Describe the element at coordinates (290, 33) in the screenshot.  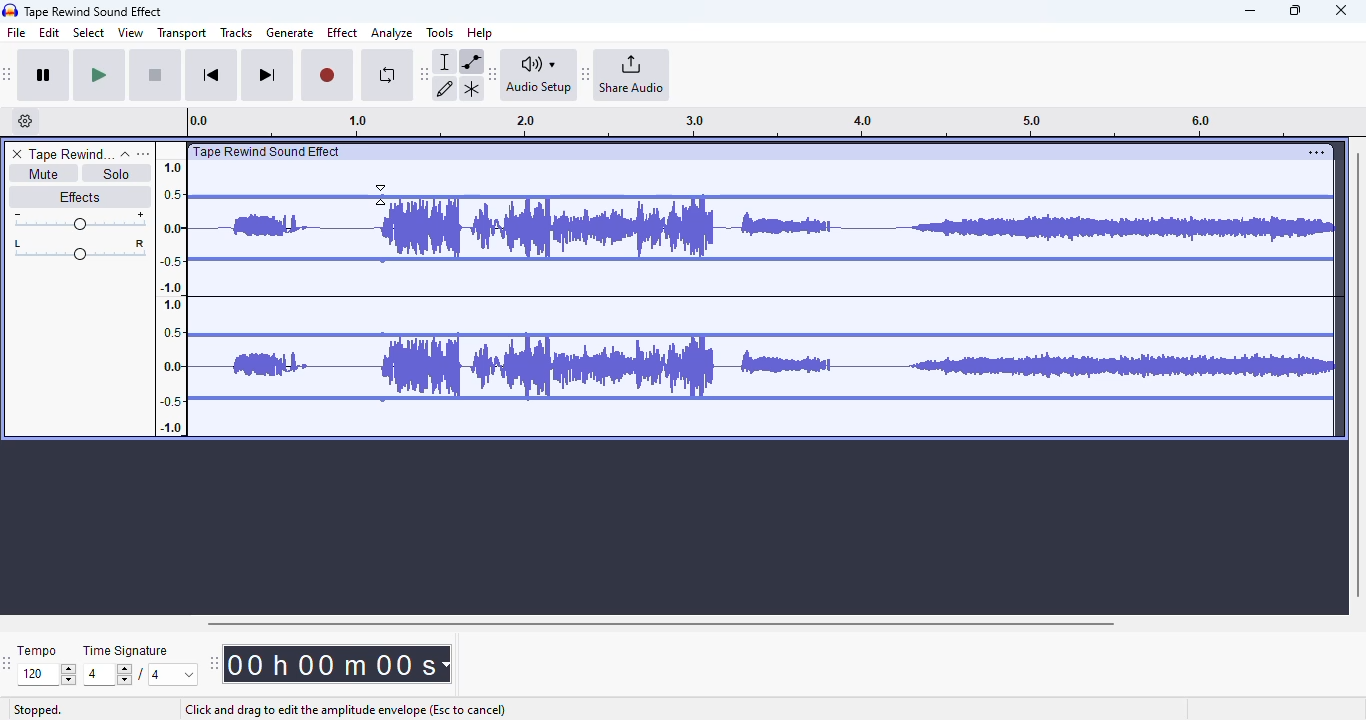
I see `generate` at that location.